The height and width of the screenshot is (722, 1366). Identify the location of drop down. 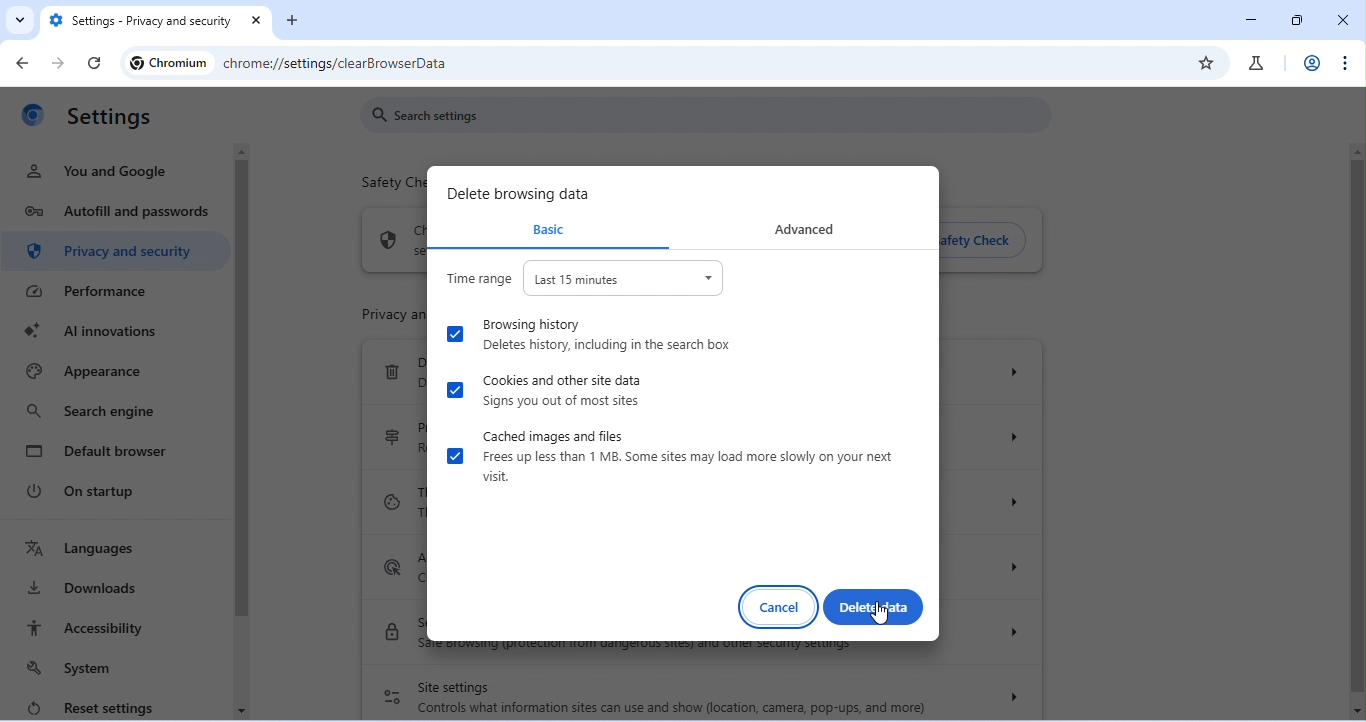
(1011, 697).